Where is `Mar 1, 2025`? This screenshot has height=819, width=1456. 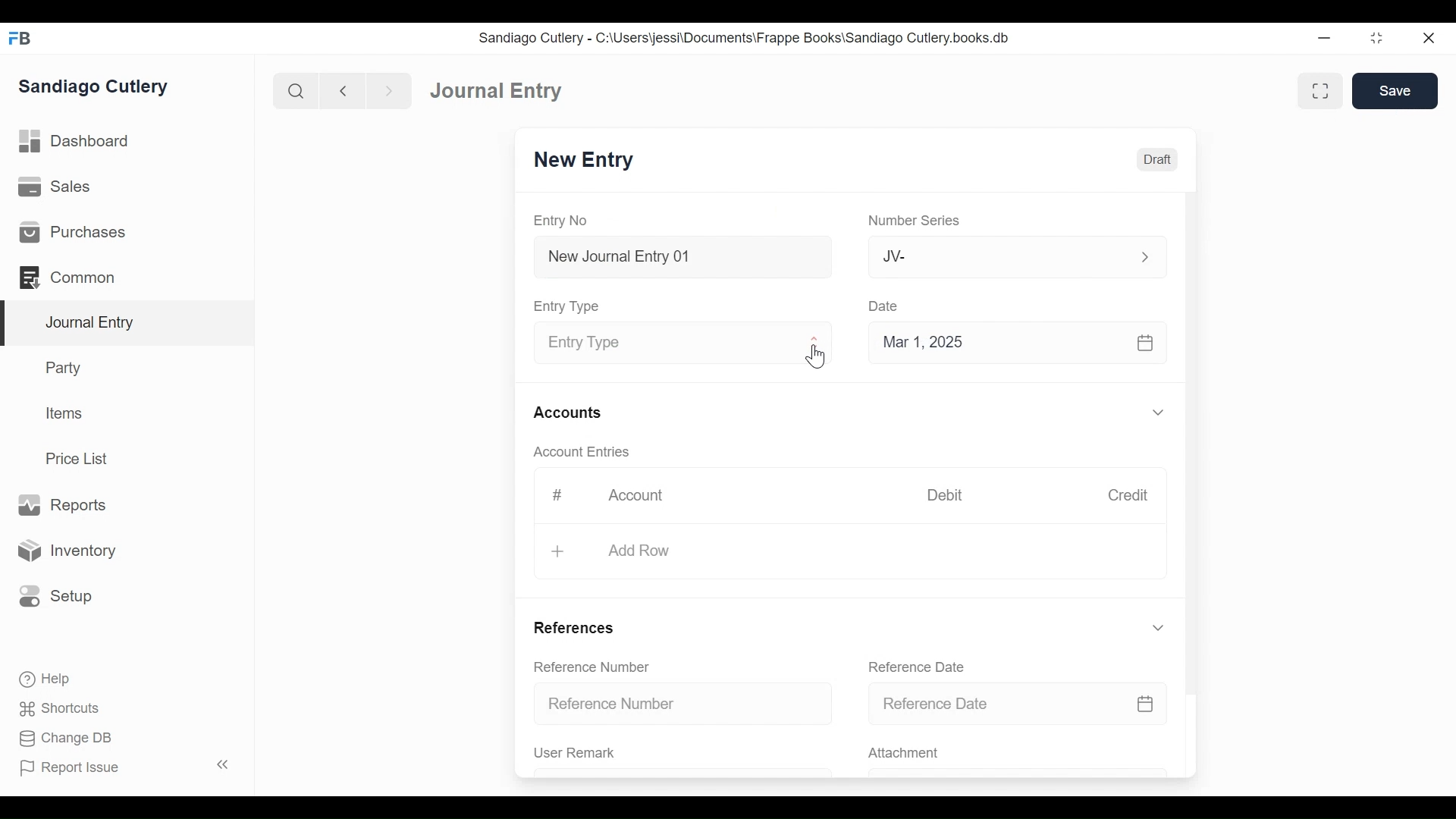
Mar 1, 2025 is located at coordinates (1018, 341).